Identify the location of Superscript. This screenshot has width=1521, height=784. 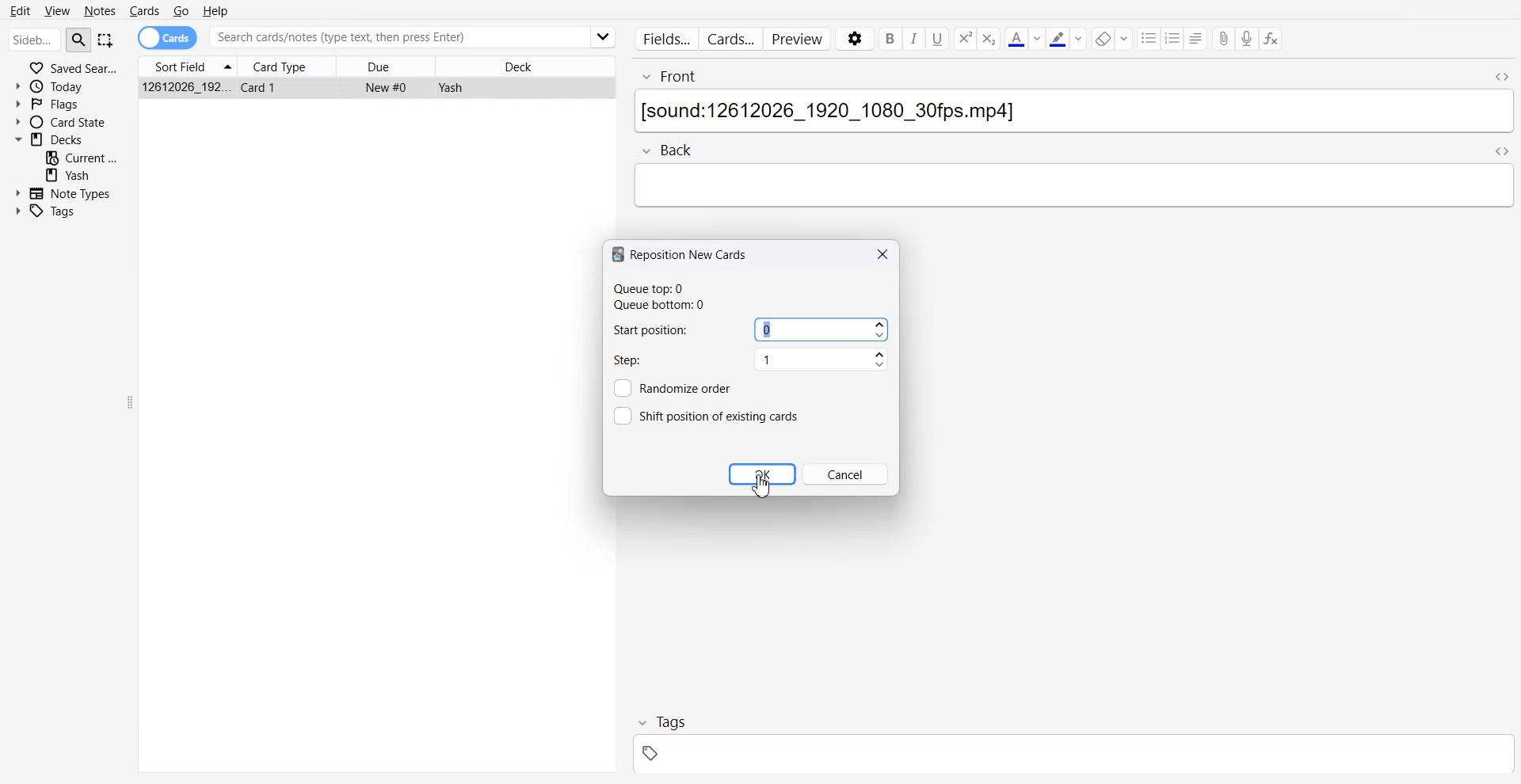
(990, 39).